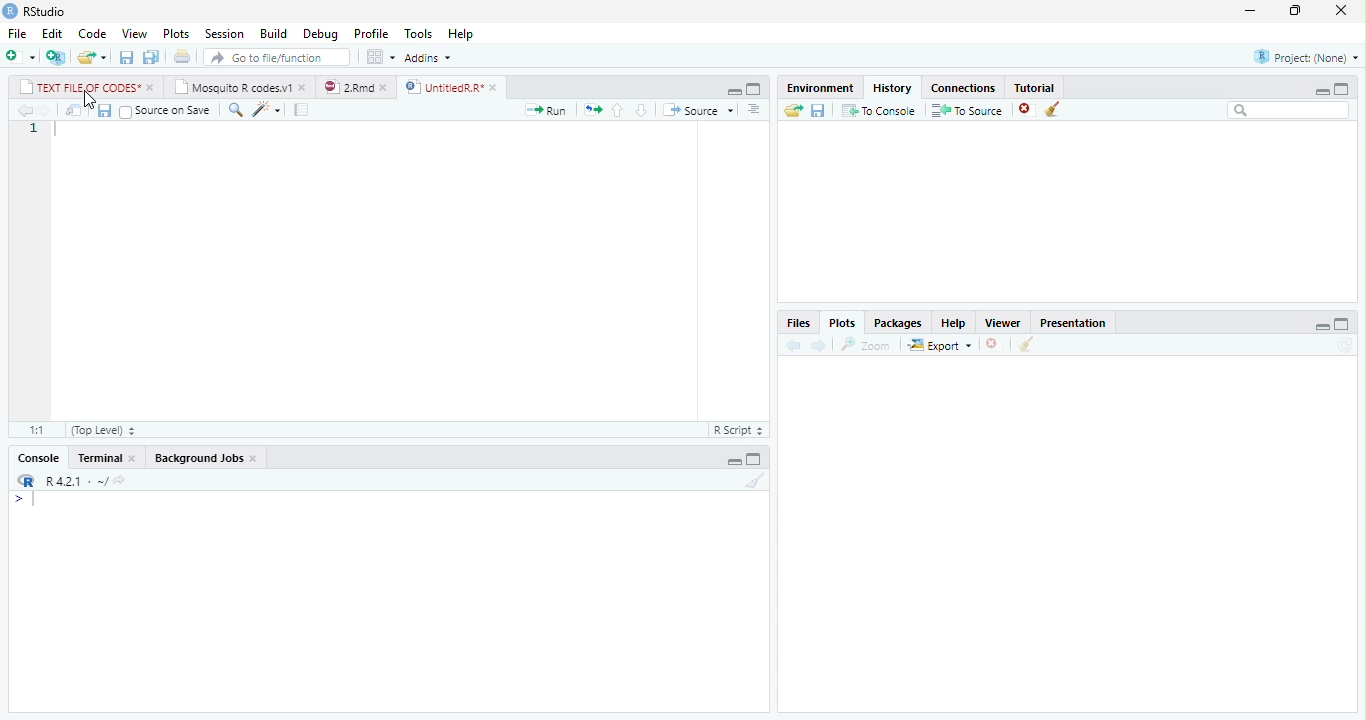  What do you see at coordinates (181, 56) in the screenshot?
I see `print` at bounding box center [181, 56].